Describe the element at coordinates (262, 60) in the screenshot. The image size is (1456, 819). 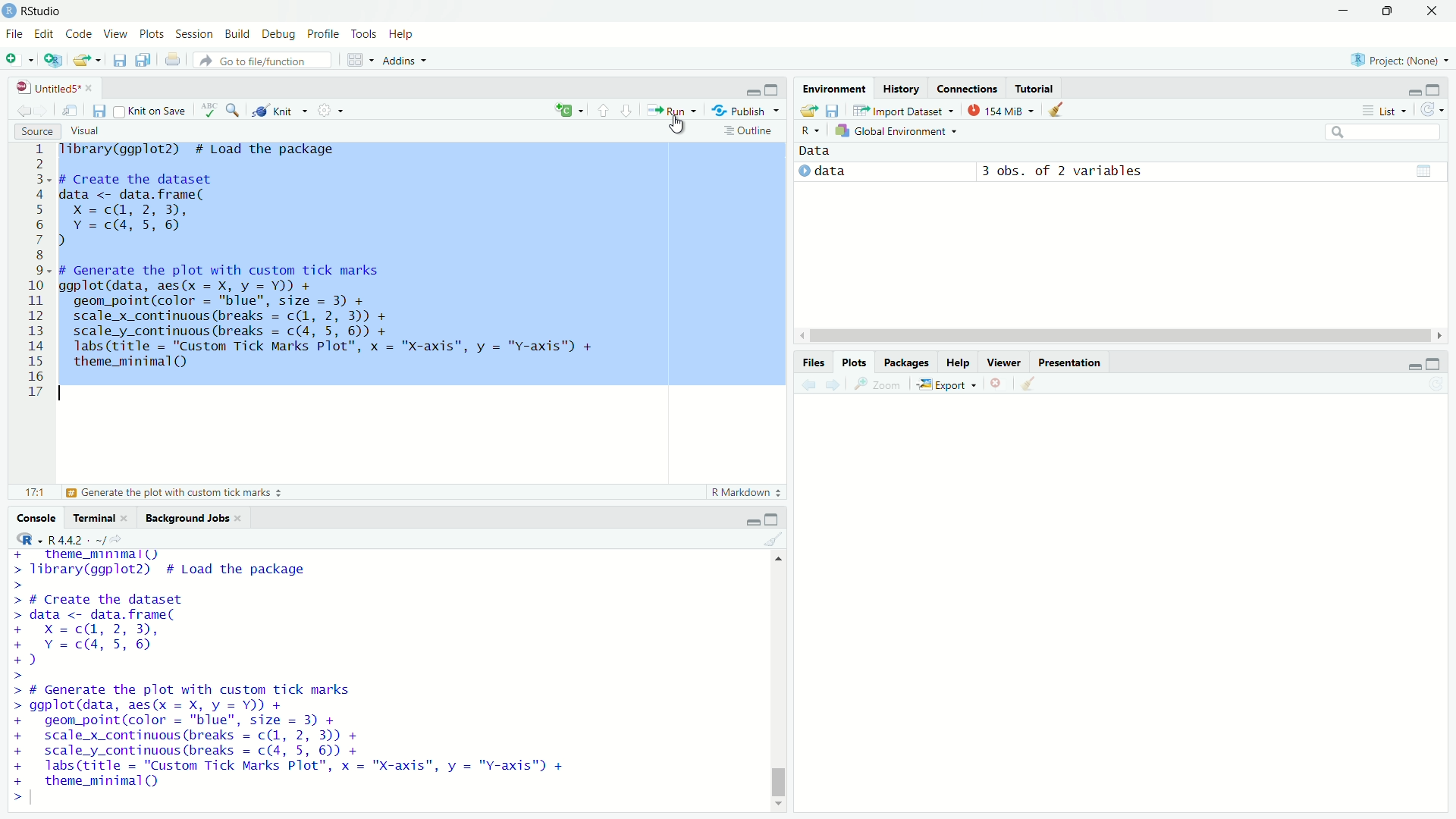
I see `go to file/function` at that location.